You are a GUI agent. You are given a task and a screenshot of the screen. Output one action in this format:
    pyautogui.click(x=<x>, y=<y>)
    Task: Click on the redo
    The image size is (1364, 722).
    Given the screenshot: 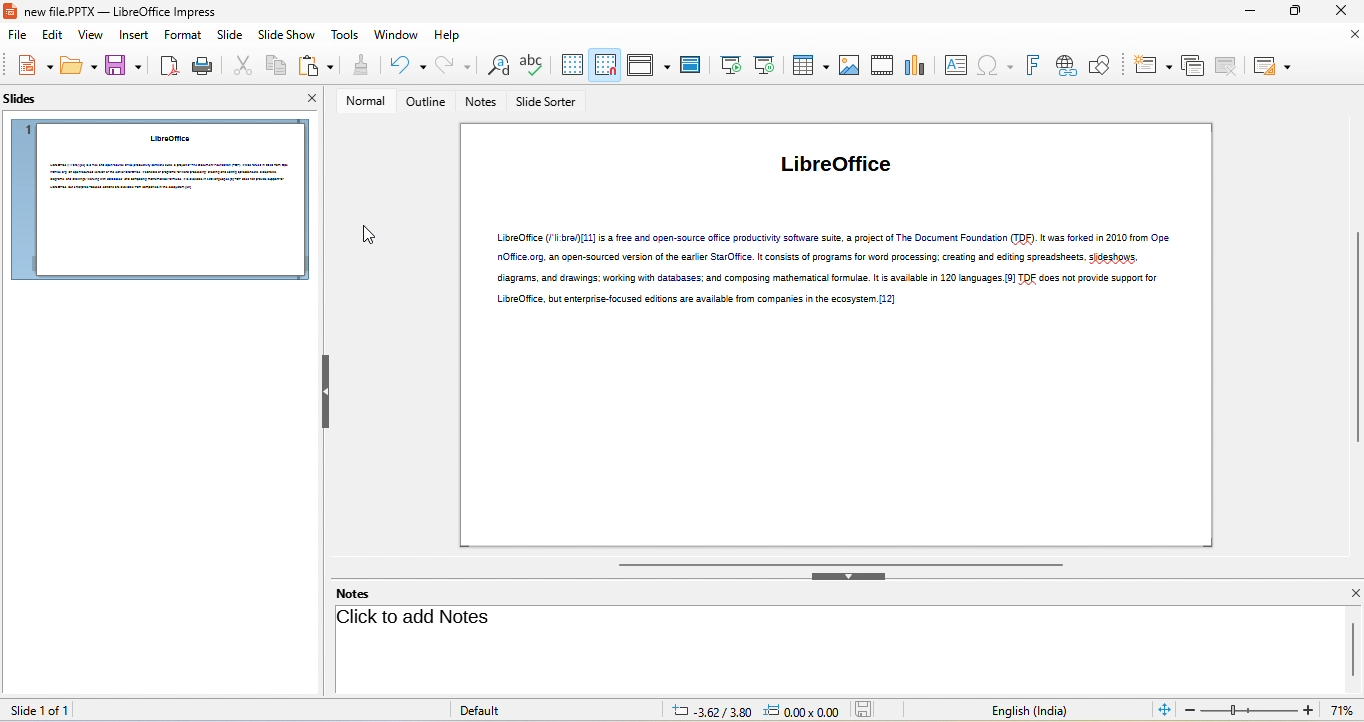 What is the action you would take?
    pyautogui.click(x=455, y=67)
    